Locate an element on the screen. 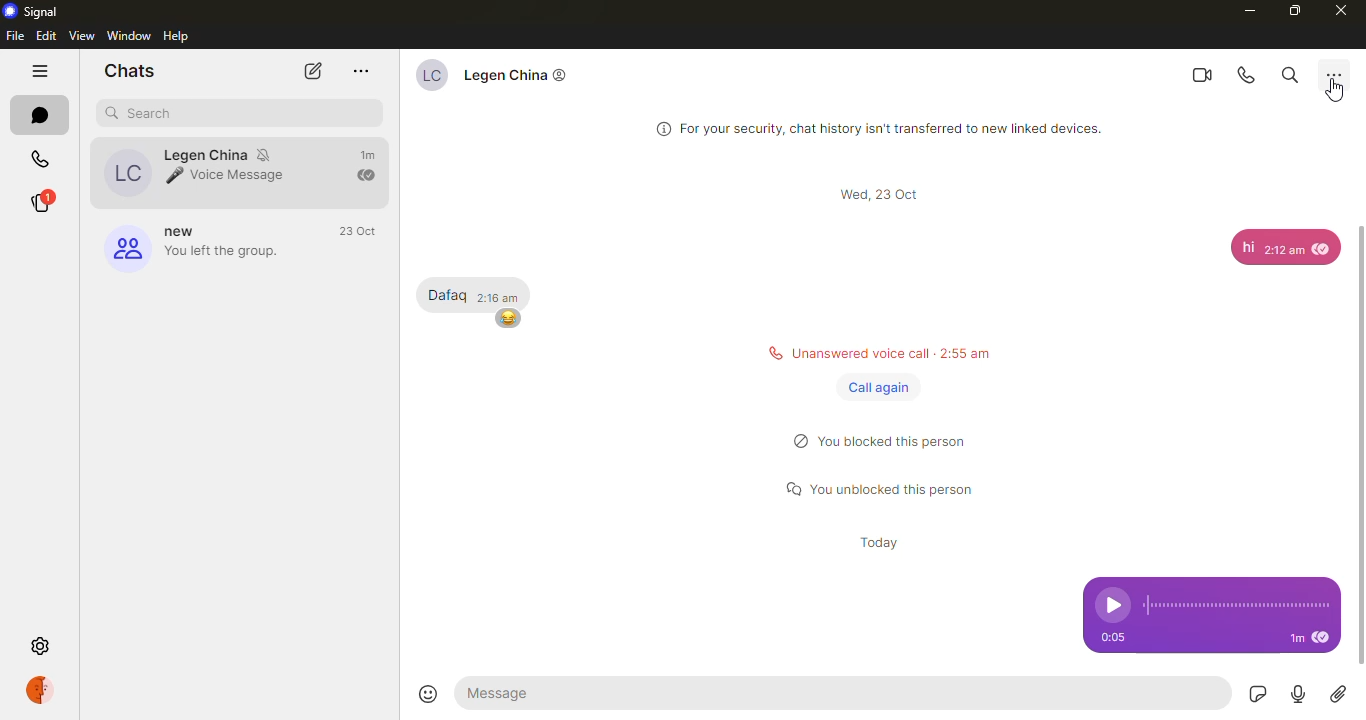 This screenshot has height=720, width=1366. cursor is located at coordinates (1335, 92).